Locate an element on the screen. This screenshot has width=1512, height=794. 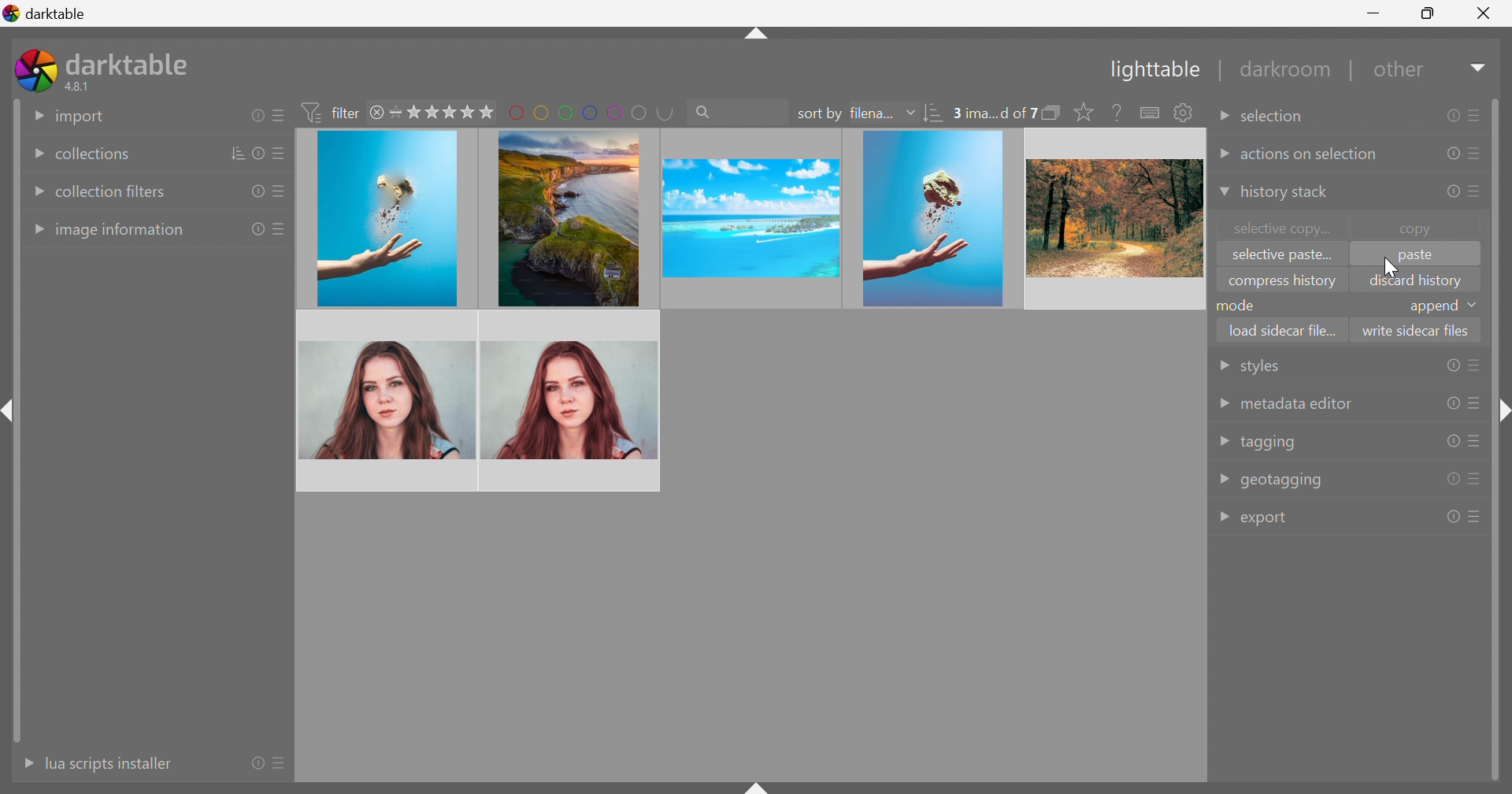
presets is located at coordinates (1476, 365).